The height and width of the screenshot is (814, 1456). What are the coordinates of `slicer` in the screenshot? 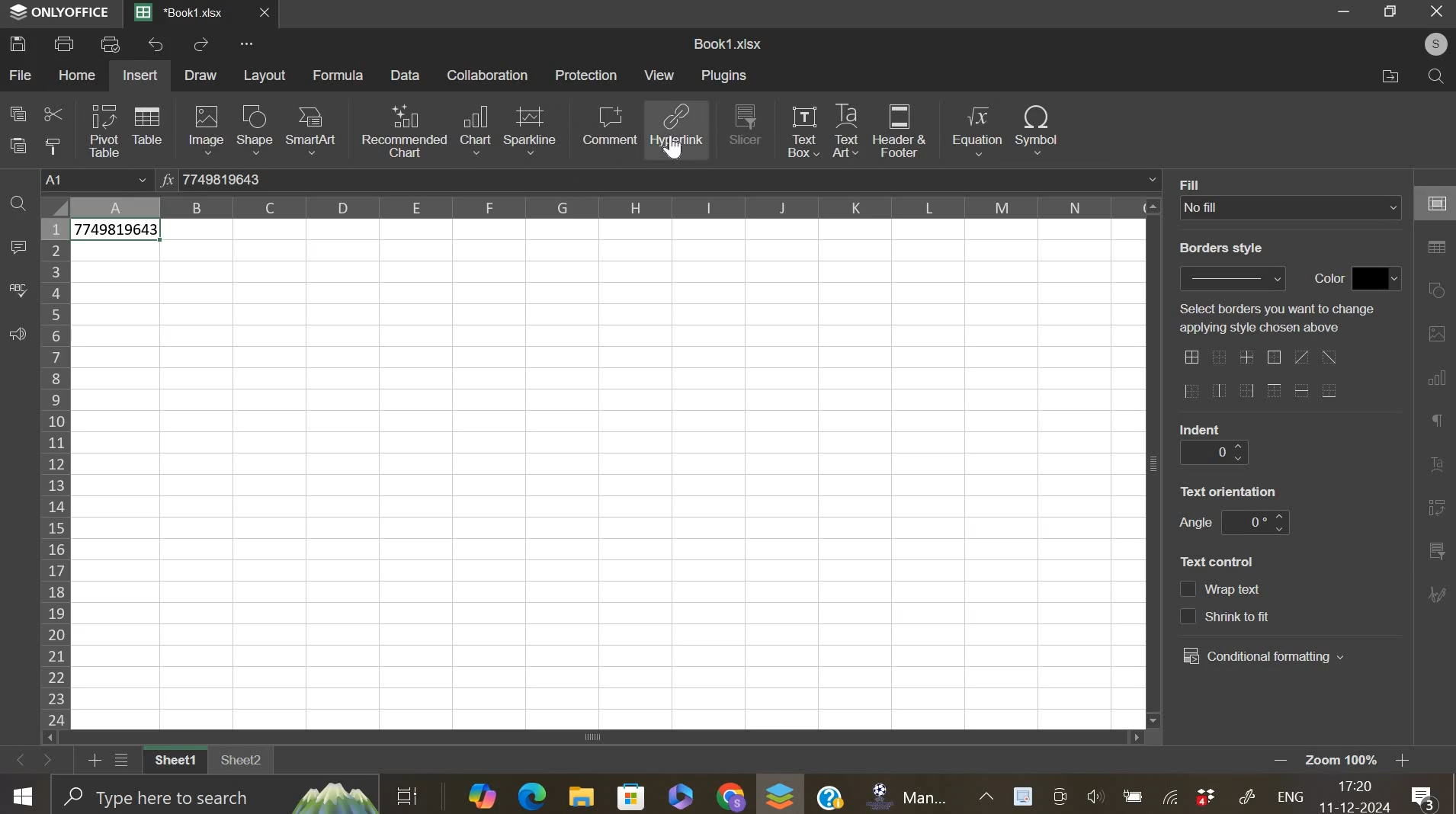 It's located at (746, 123).